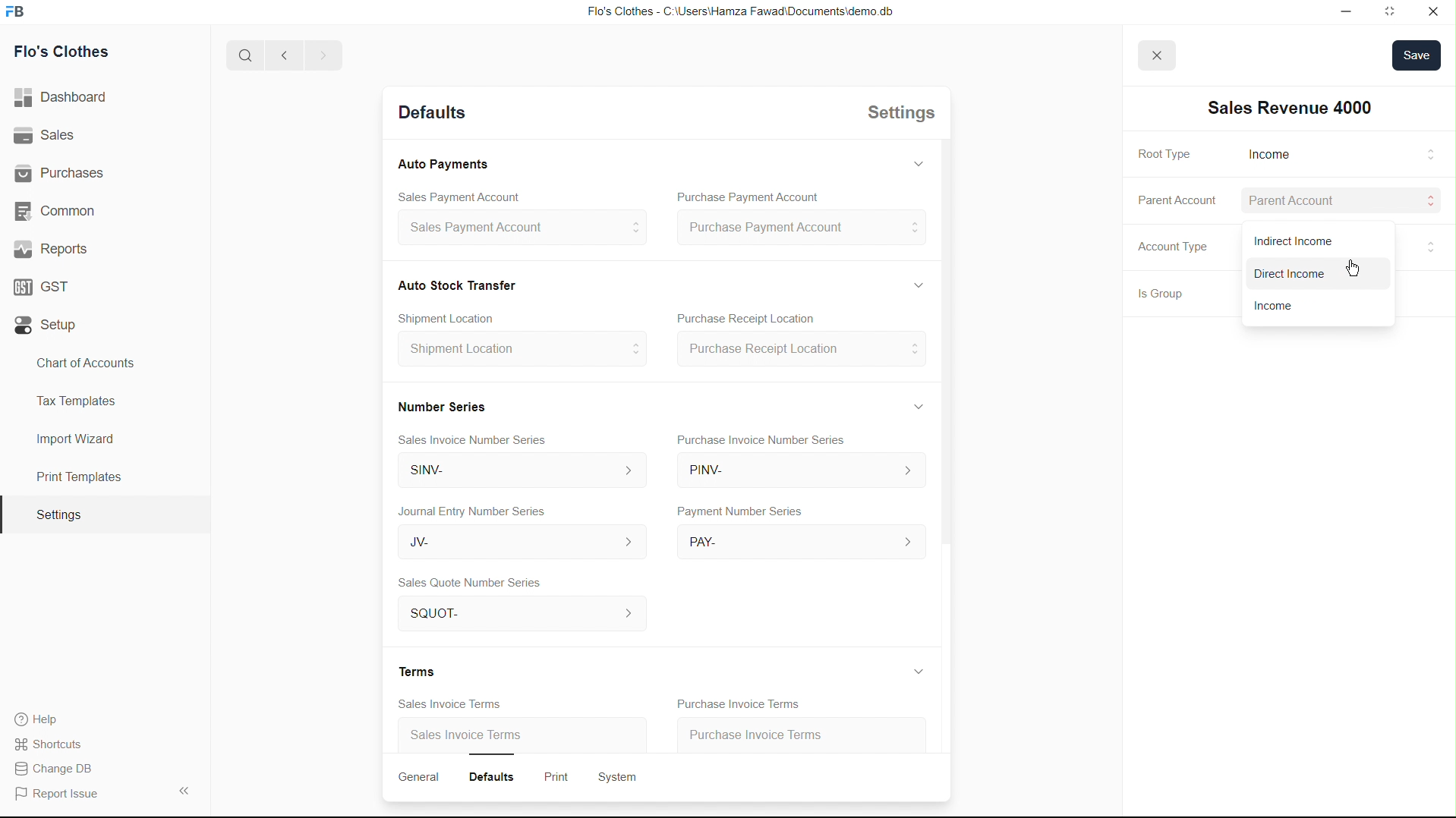 This screenshot has width=1456, height=818. Describe the element at coordinates (1430, 244) in the screenshot. I see `cursor` at that location.